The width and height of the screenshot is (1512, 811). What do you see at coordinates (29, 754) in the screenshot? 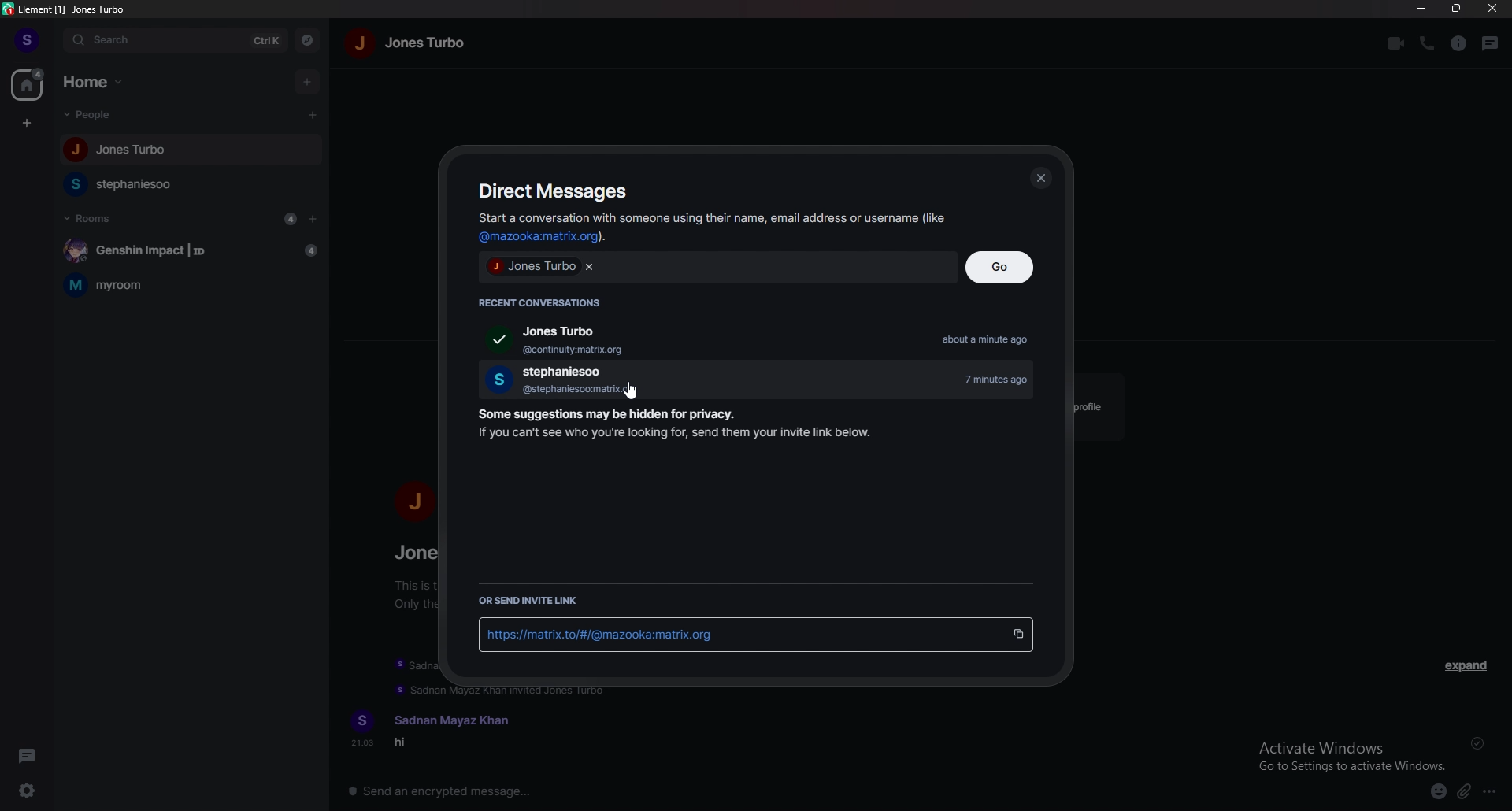
I see `threads` at bounding box center [29, 754].